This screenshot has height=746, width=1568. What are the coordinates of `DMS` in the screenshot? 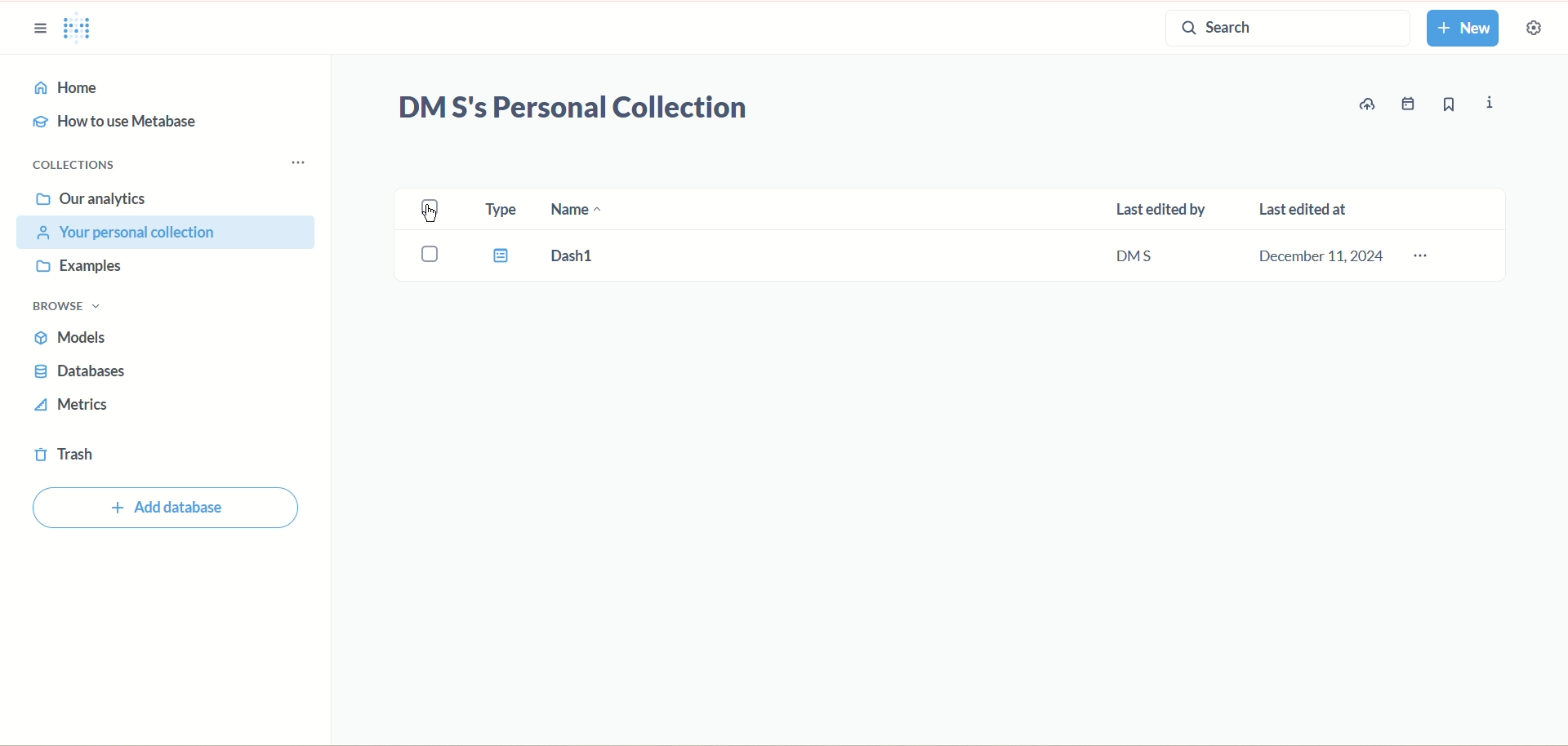 It's located at (1130, 253).